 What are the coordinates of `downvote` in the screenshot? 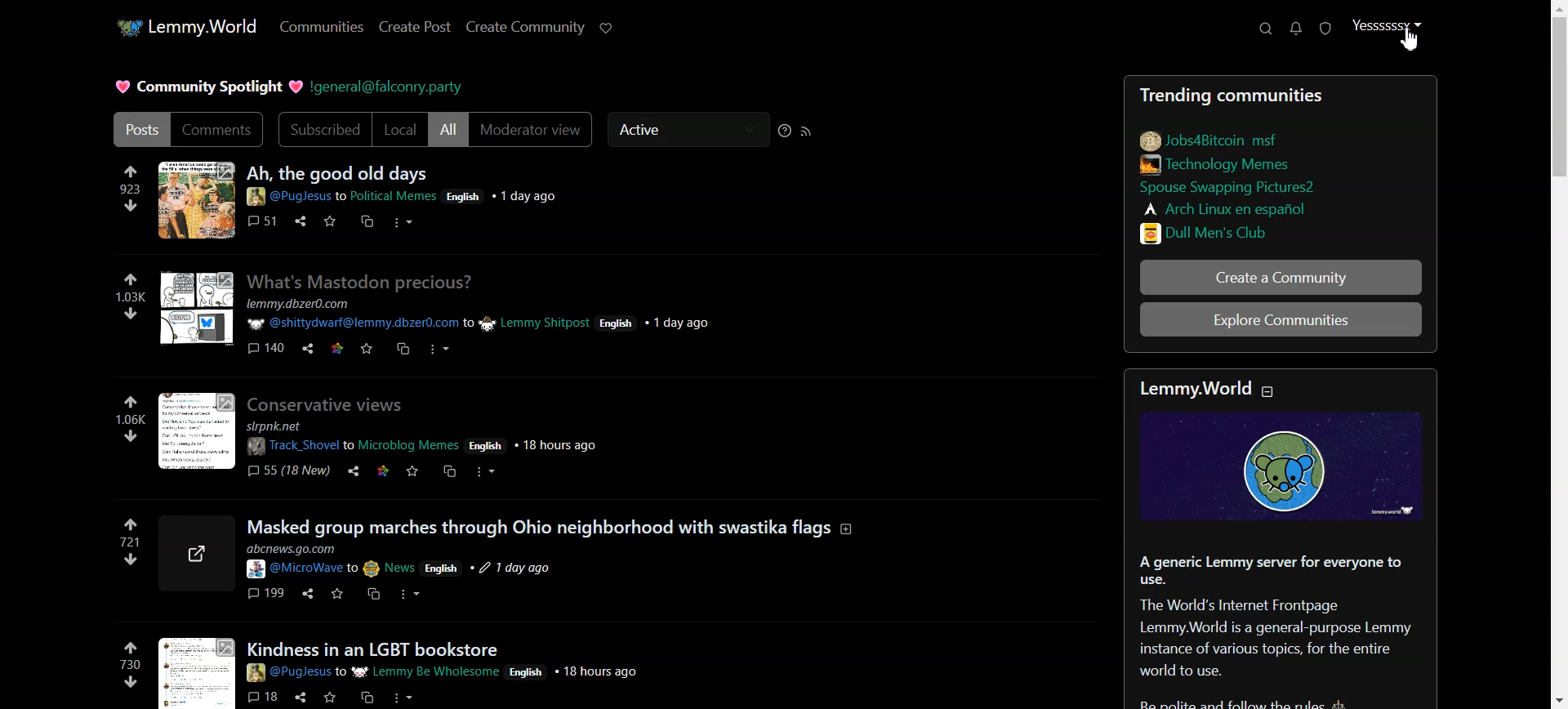 It's located at (131, 436).